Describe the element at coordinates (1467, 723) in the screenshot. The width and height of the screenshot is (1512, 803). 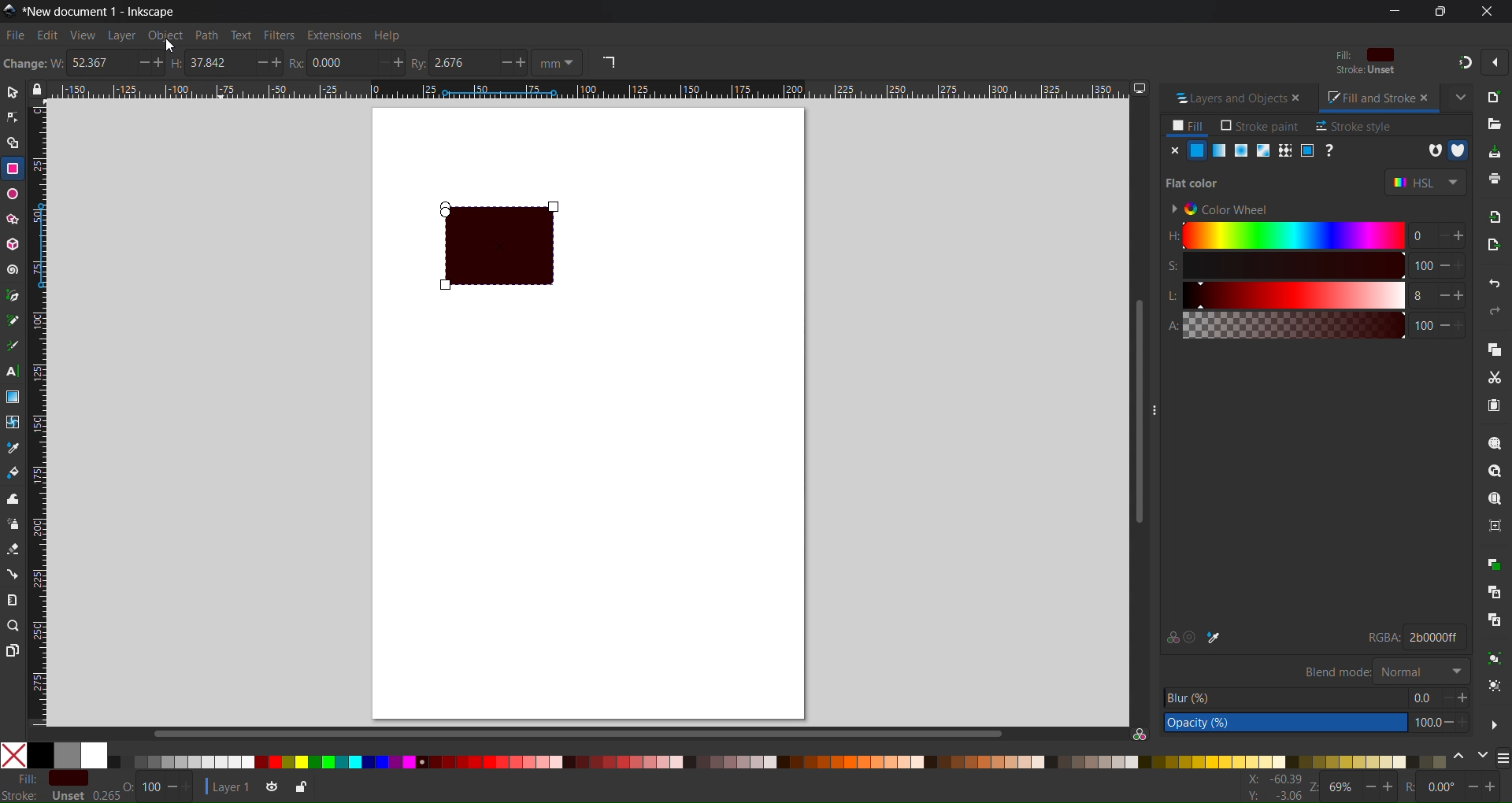
I see `increase opacity` at that location.